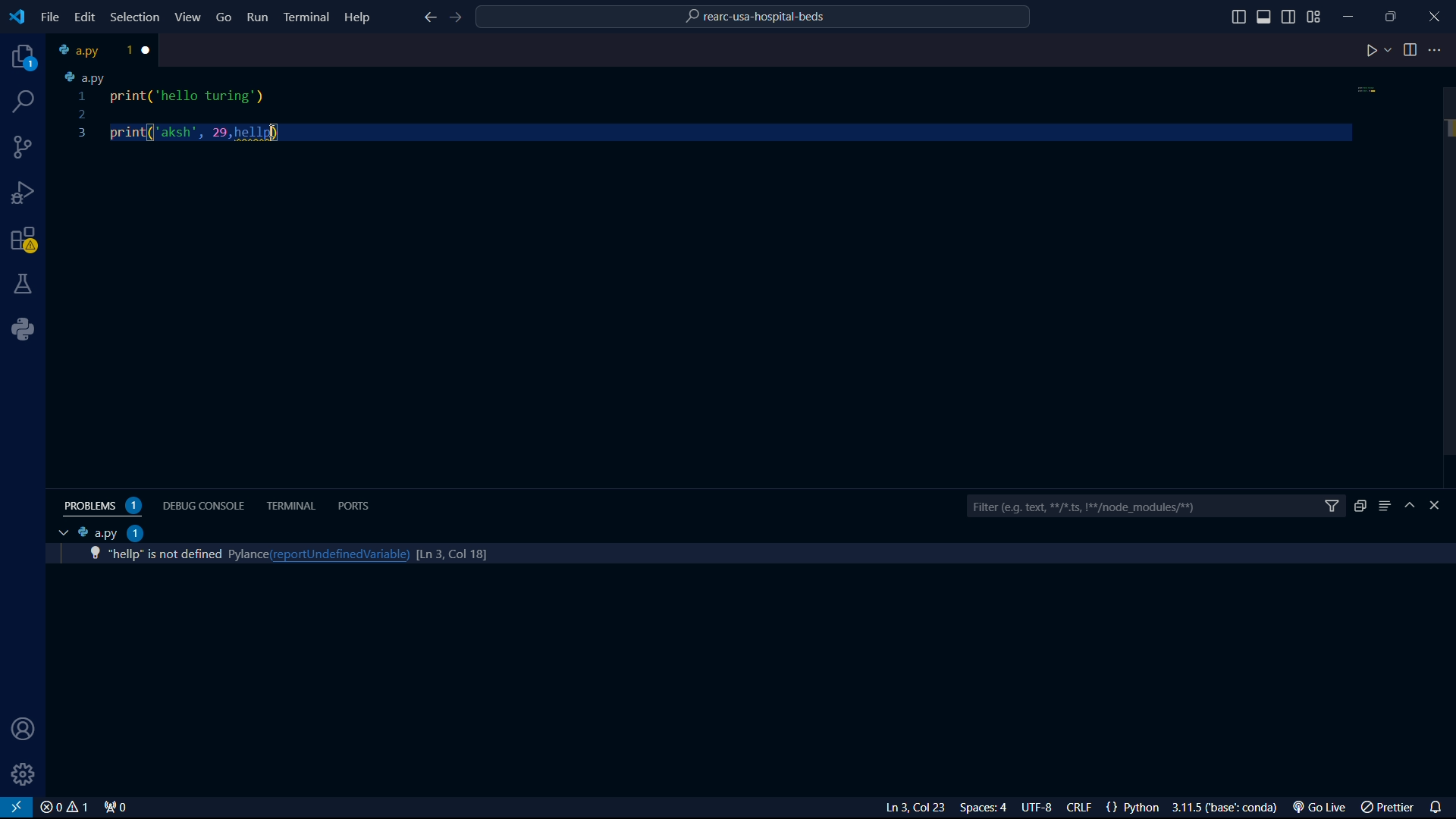 Image resolution: width=1456 pixels, height=819 pixels. What do you see at coordinates (24, 283) in the screenshot?
I see `labs` at bounding box center [24, 283].